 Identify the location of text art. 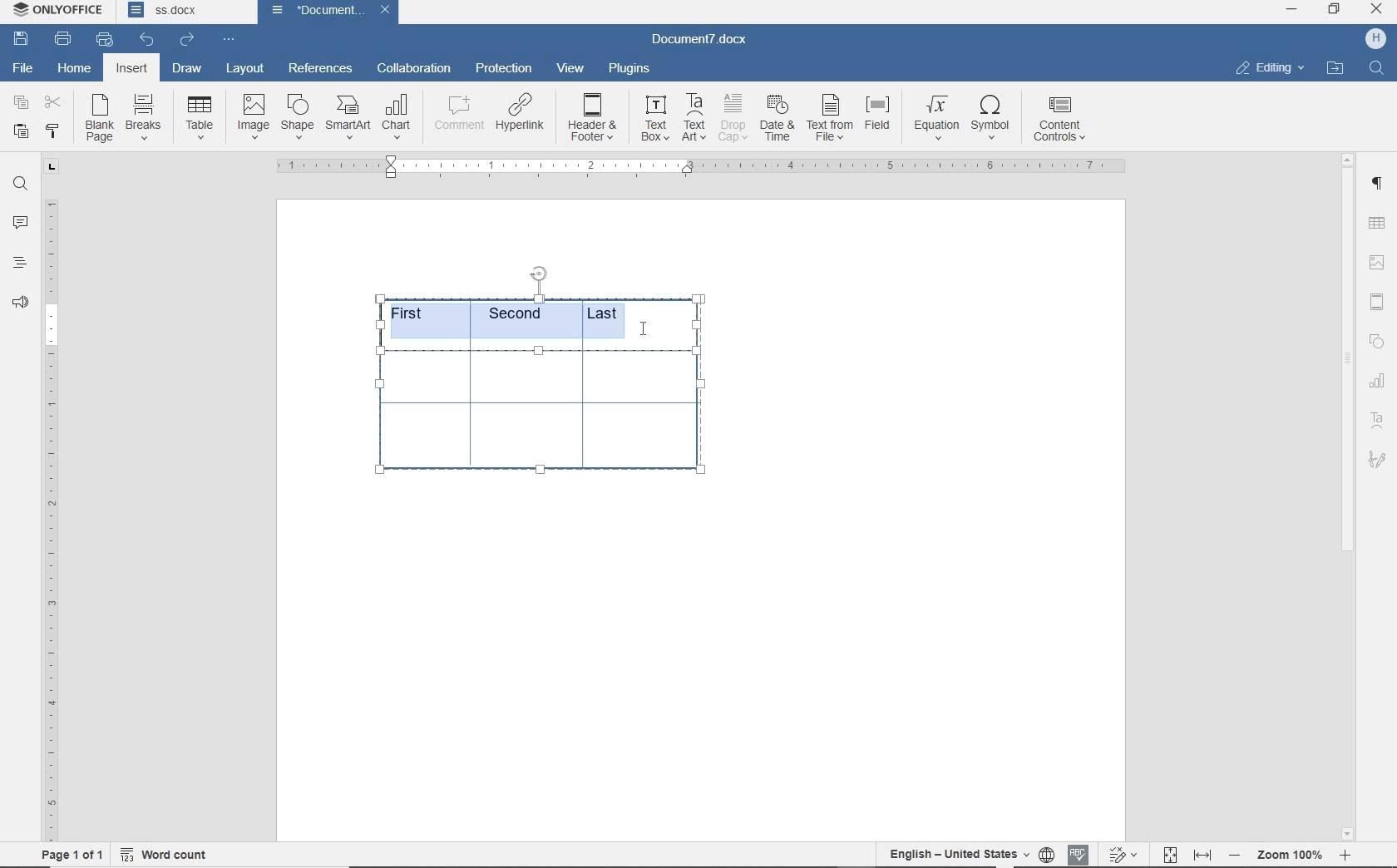
(1380, 423).